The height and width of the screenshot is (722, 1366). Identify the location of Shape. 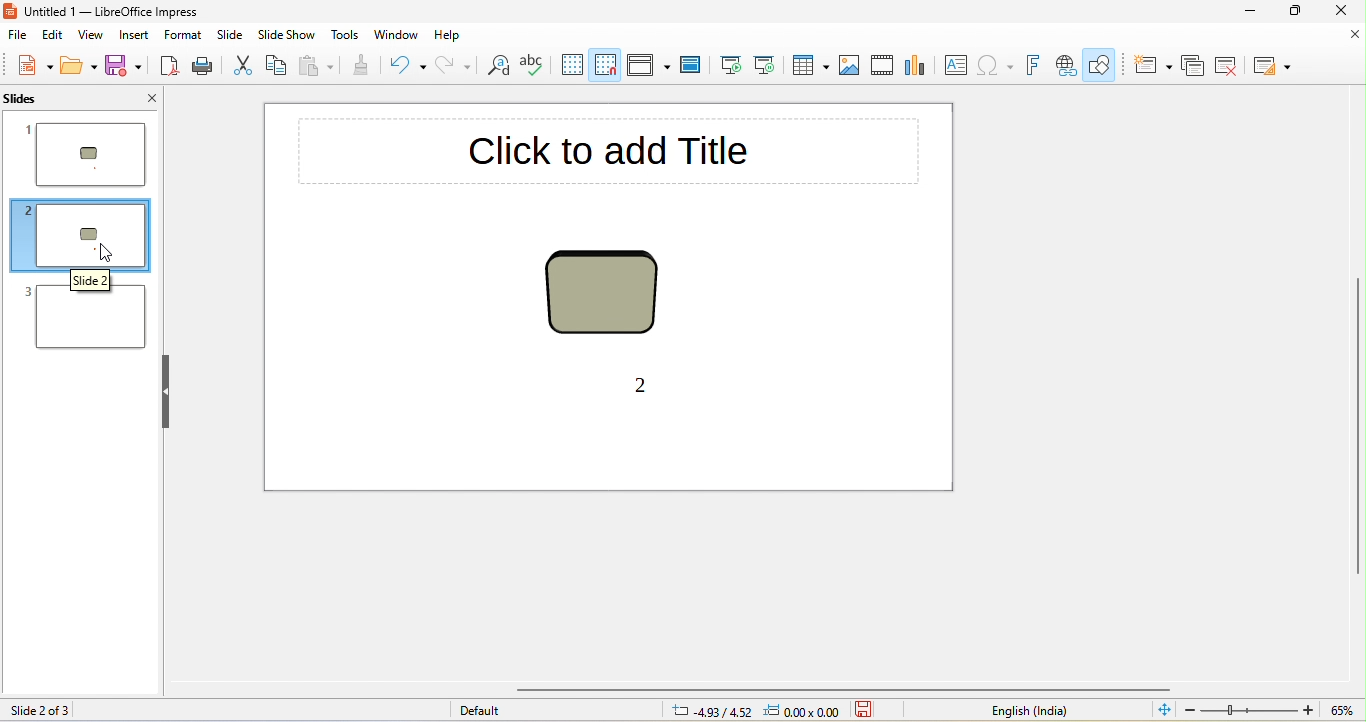
(601, 293).